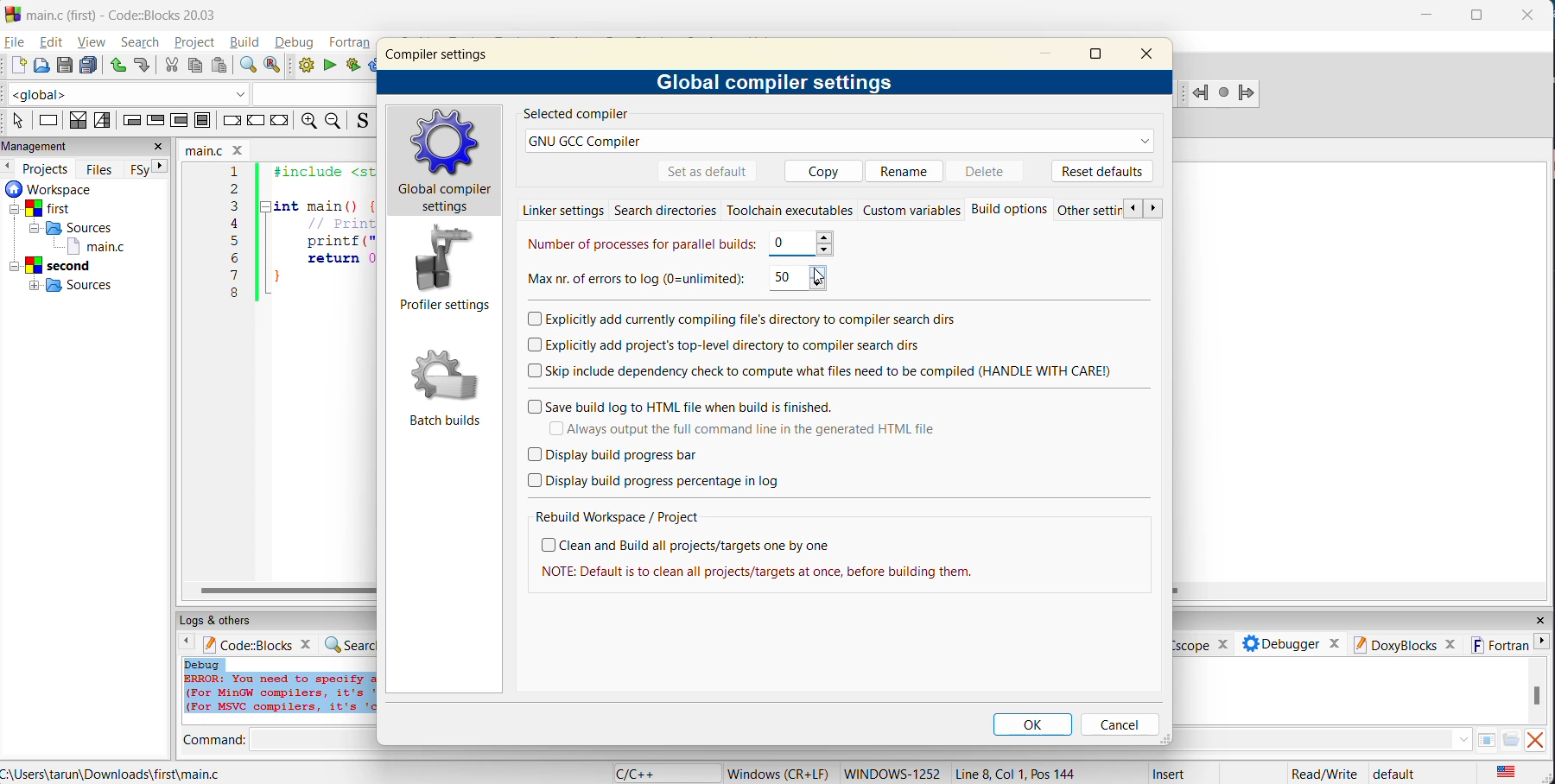 This screenshot has width=1555, height=784. What do you see at coordinates (914, 211) in the screenshot?
I see `custom variables` at bounding box center [914, 211].